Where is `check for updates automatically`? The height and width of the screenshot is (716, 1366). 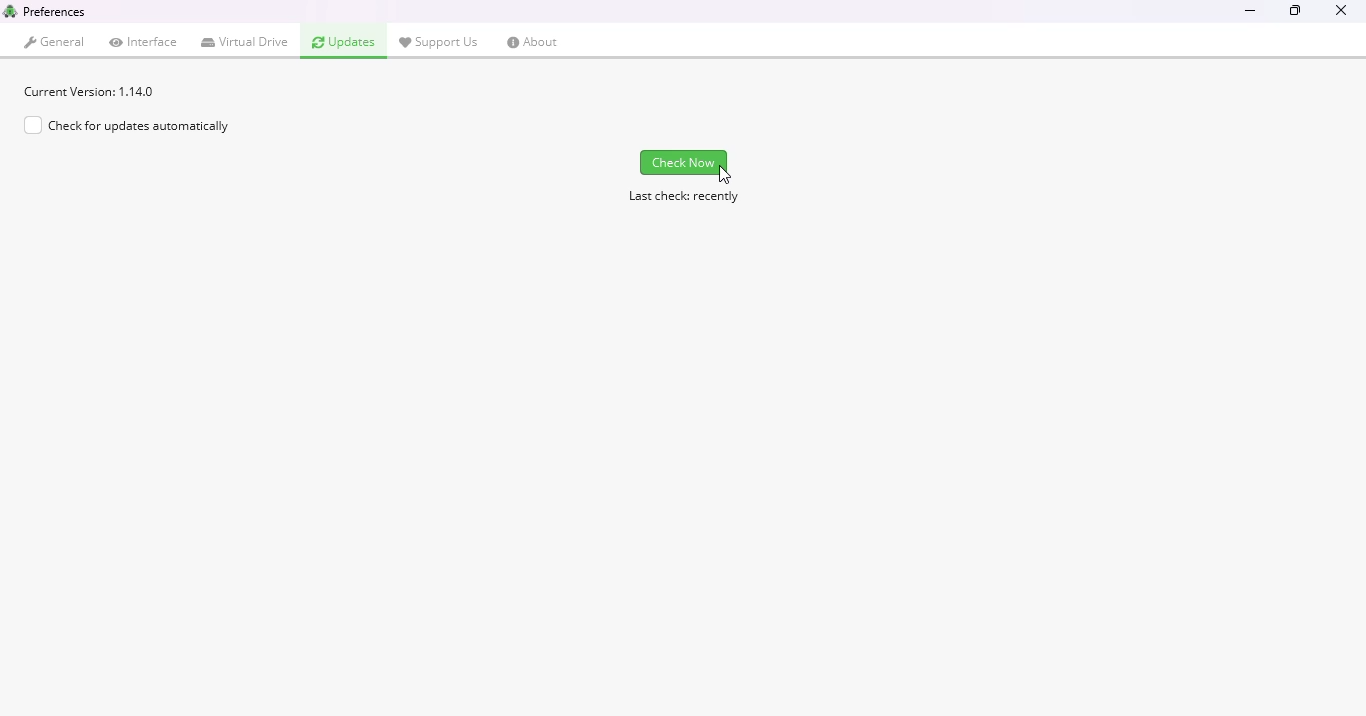 check for updates automatically is located at coordinates (126, 125).